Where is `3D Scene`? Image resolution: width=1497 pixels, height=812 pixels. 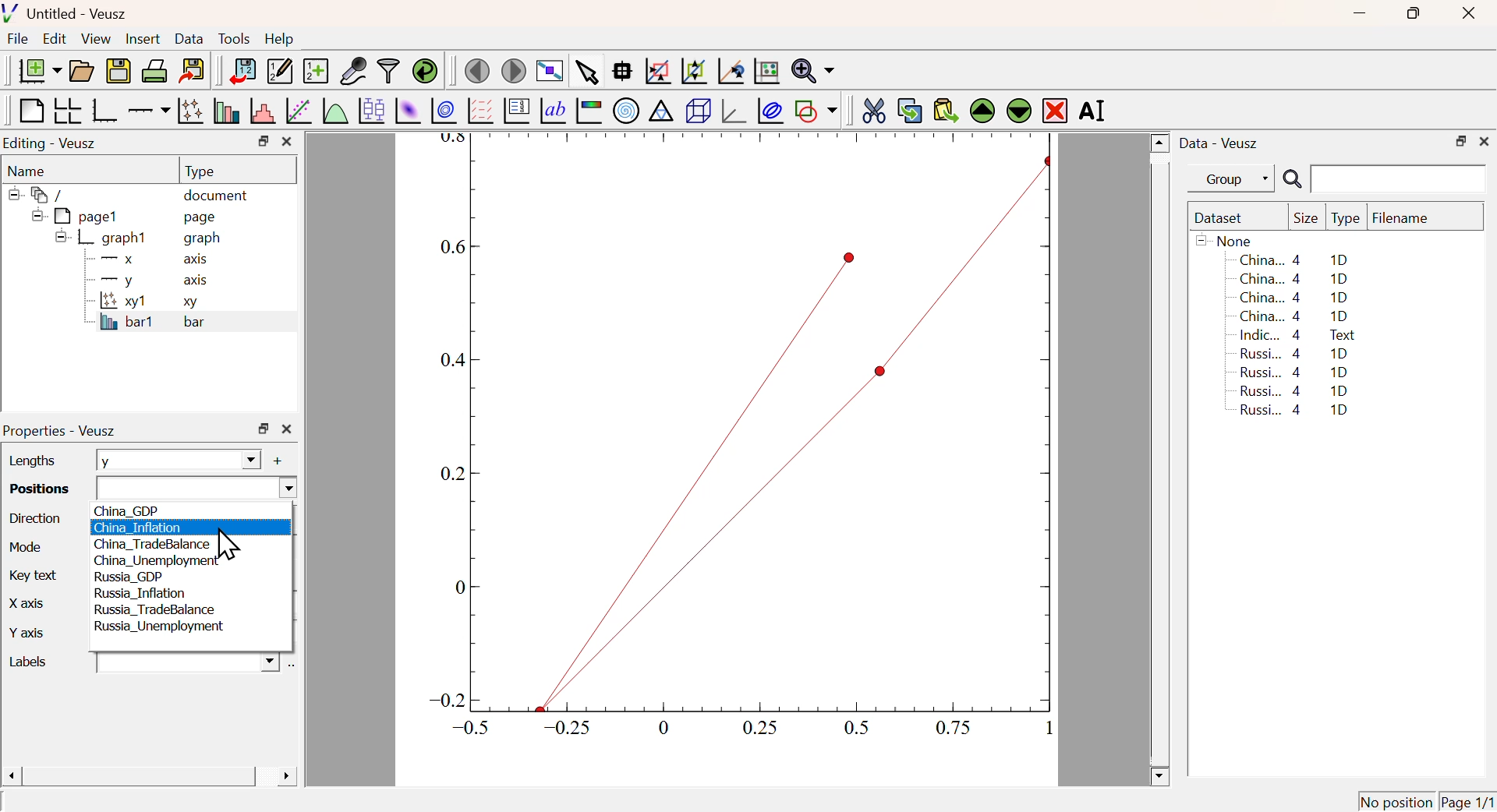
3D Scene is located at coordinates (698, 111).